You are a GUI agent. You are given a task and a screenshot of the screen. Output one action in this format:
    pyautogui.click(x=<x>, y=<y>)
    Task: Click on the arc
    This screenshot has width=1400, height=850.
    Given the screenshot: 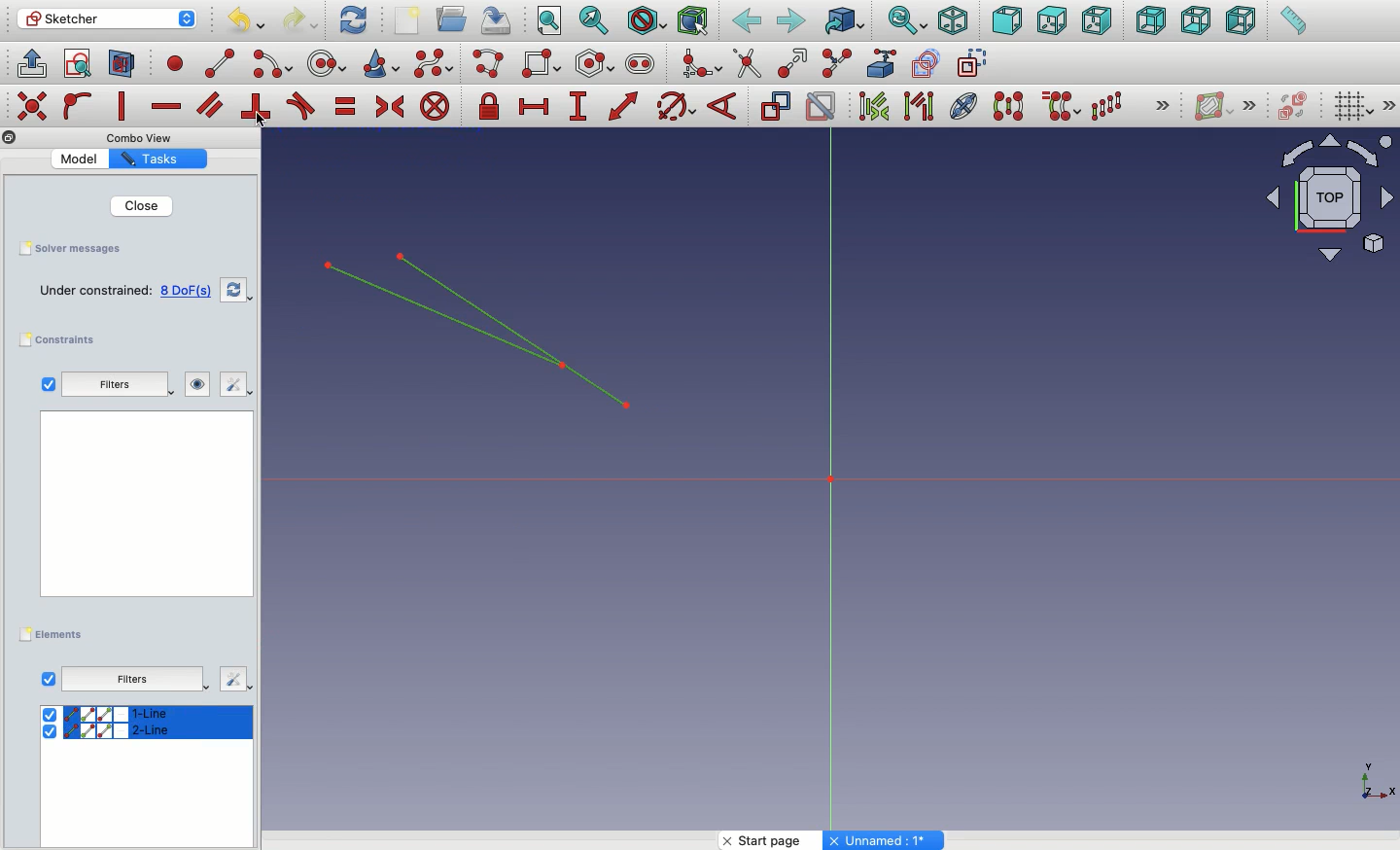 What is the action you would take?
    pyautogui.click(x=273, y=64)
    